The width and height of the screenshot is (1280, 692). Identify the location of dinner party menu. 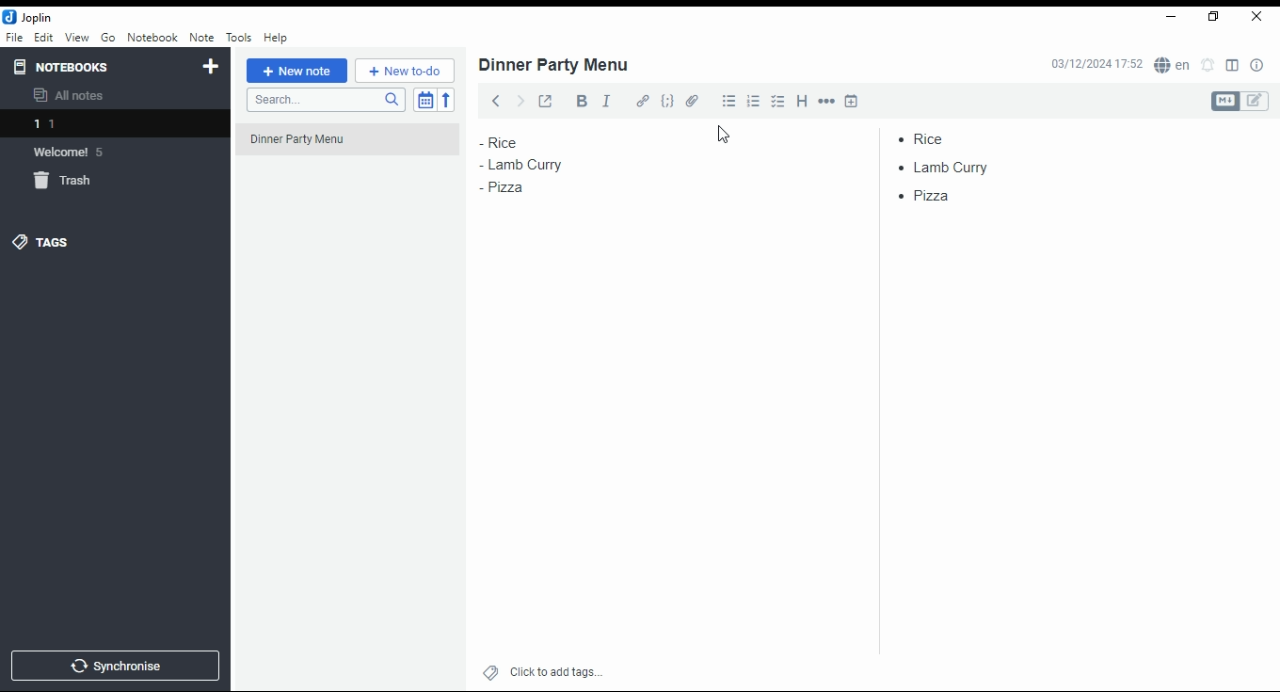
(555, 65).